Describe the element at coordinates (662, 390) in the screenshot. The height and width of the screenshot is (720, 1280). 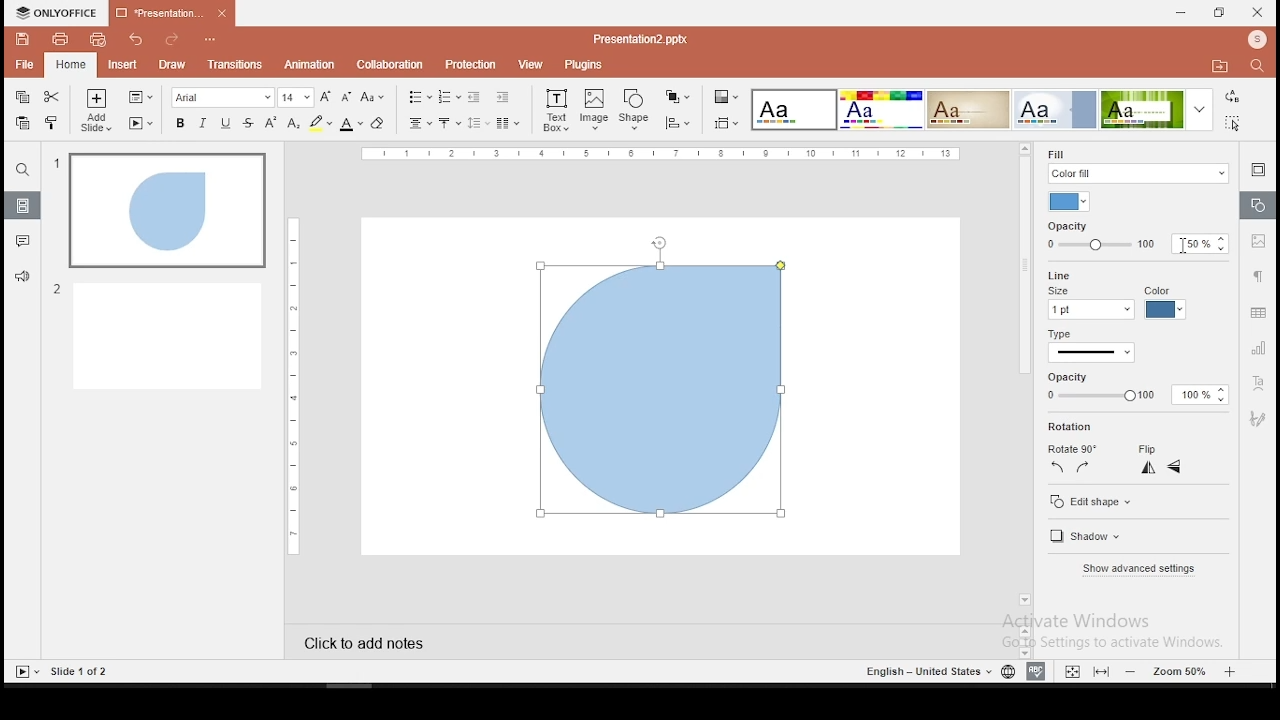
I see `shape` at that location.